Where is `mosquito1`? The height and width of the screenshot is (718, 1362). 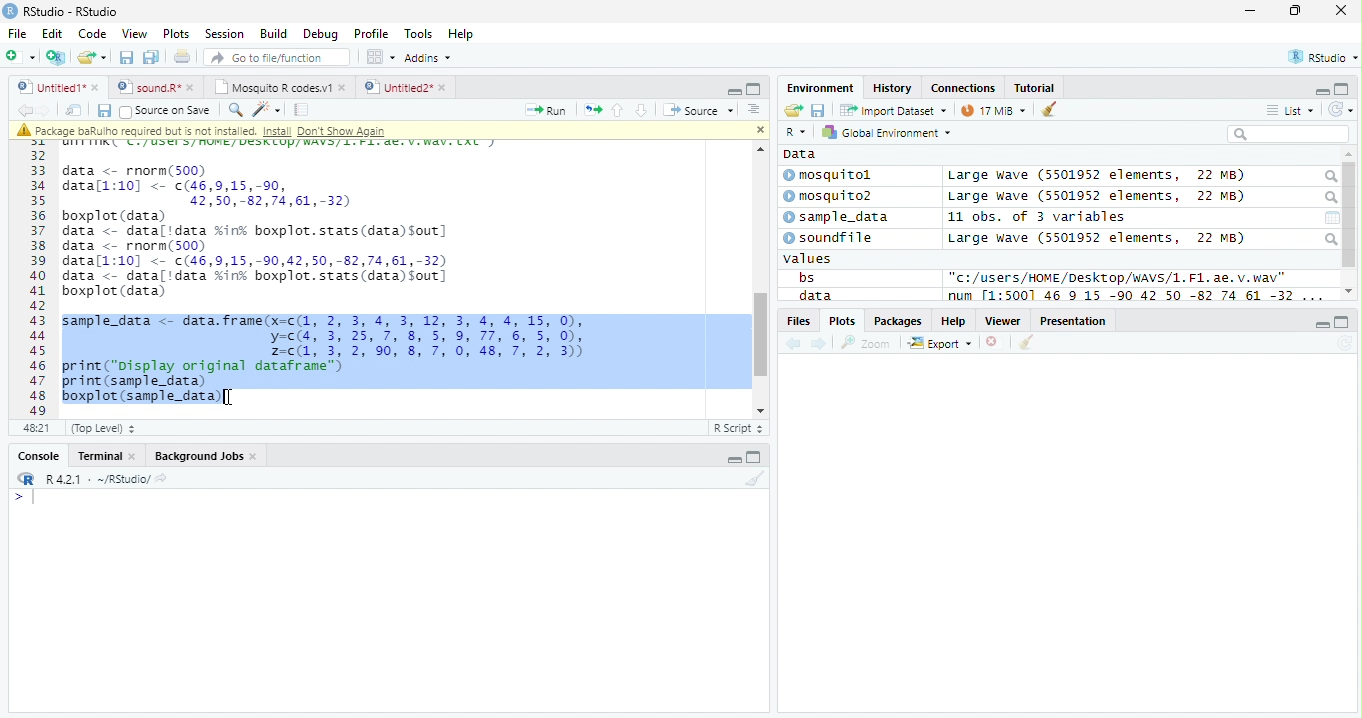
mosquito1 is located at coordinates (831, 176).